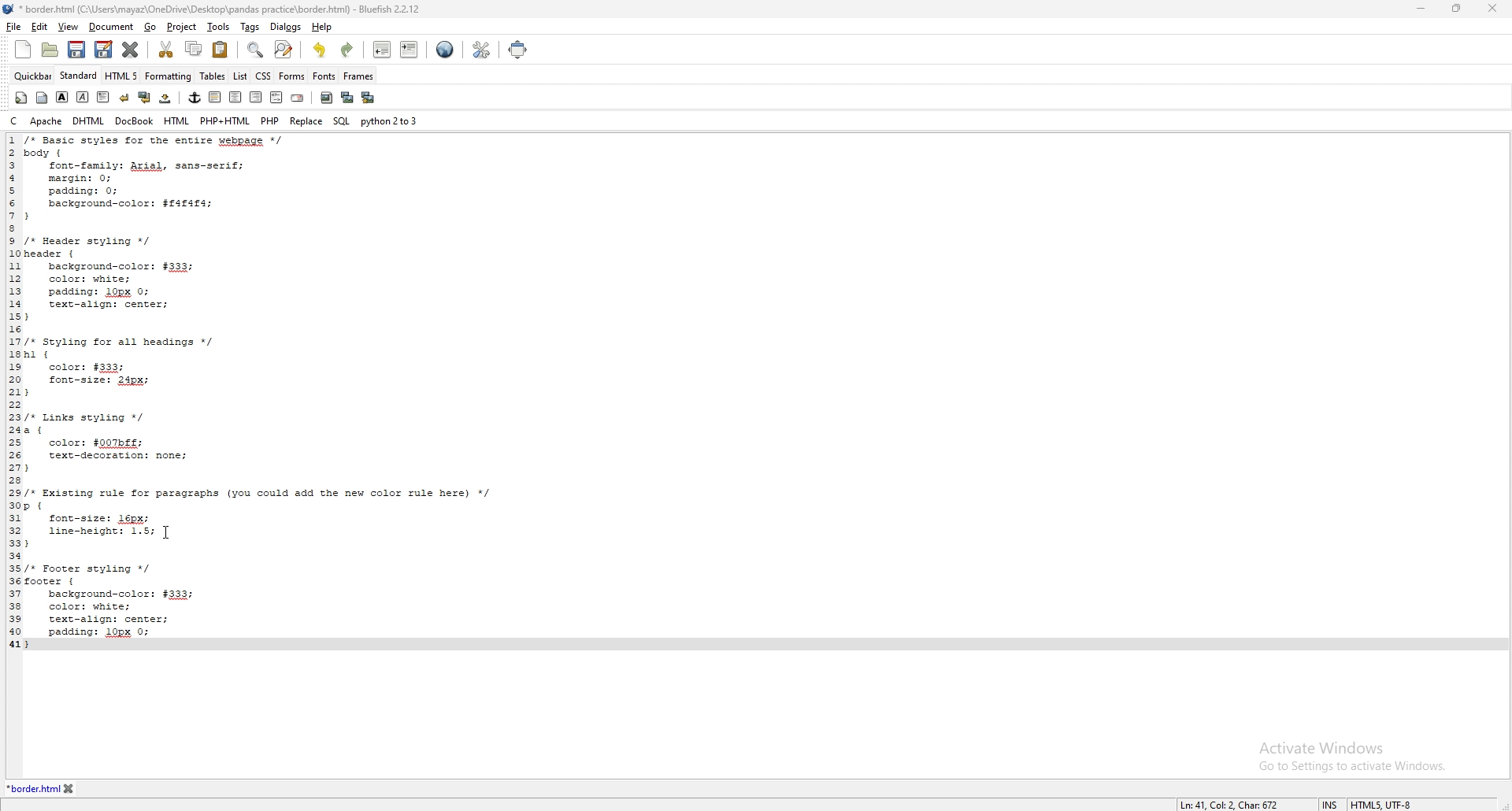 Image resolution: width=1512 pixels, height=811 pixels. I want to click on edit preference, so click(483, 49).